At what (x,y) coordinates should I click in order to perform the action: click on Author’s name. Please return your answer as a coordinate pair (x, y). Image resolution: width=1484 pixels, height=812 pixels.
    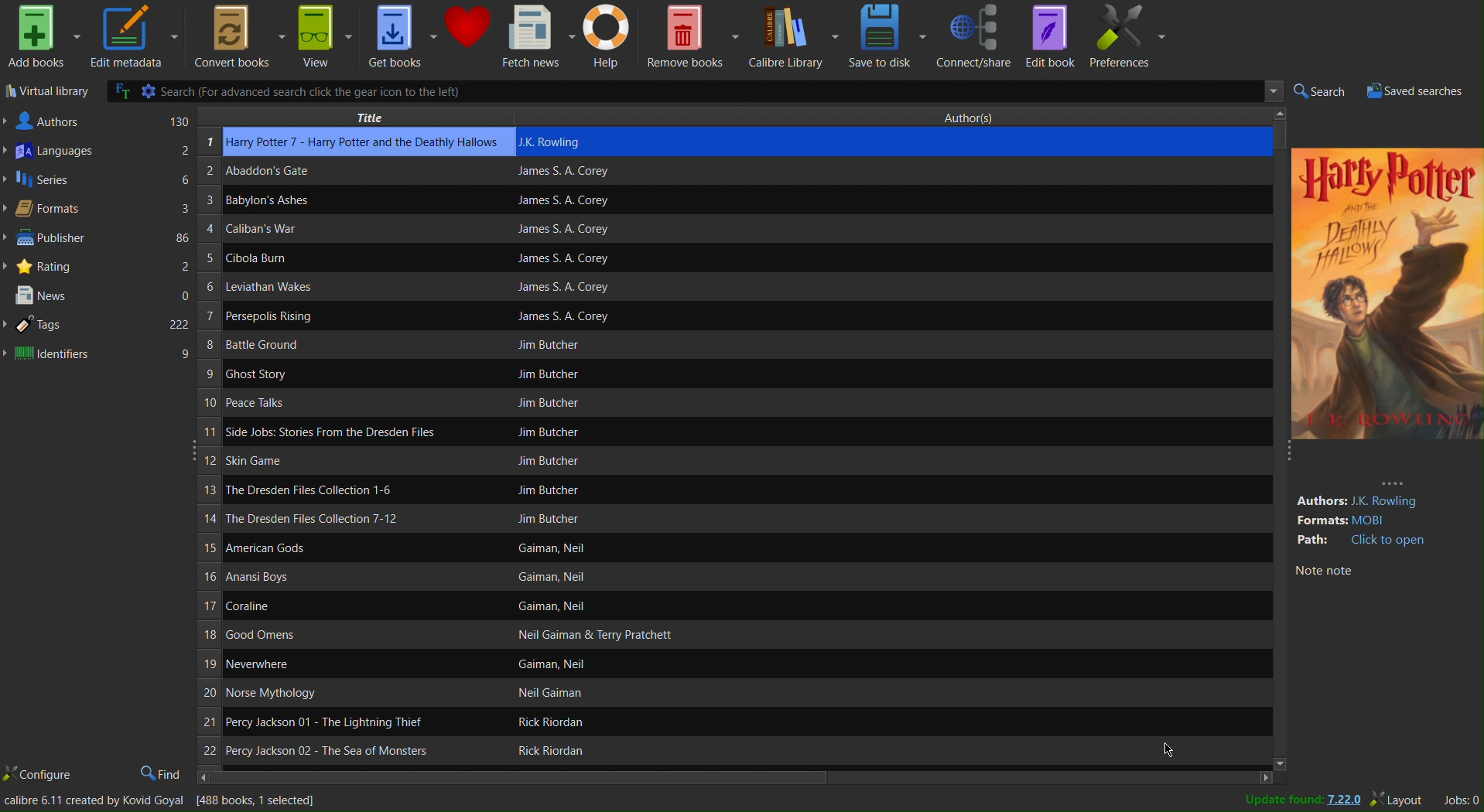
    Looking at the image, I should click on (722, 200).